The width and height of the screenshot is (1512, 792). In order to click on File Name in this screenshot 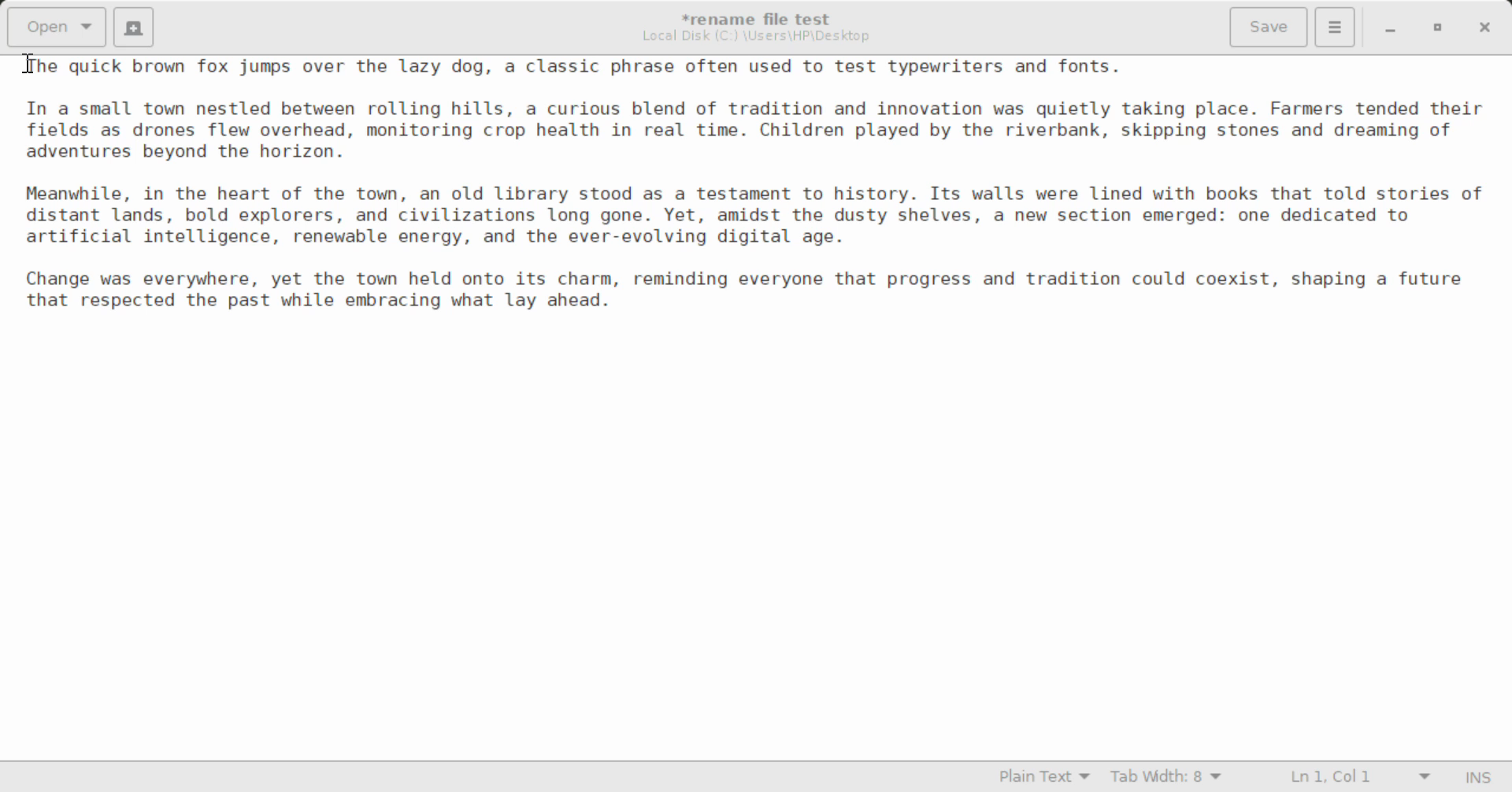, I will do `click(755, 17)`.